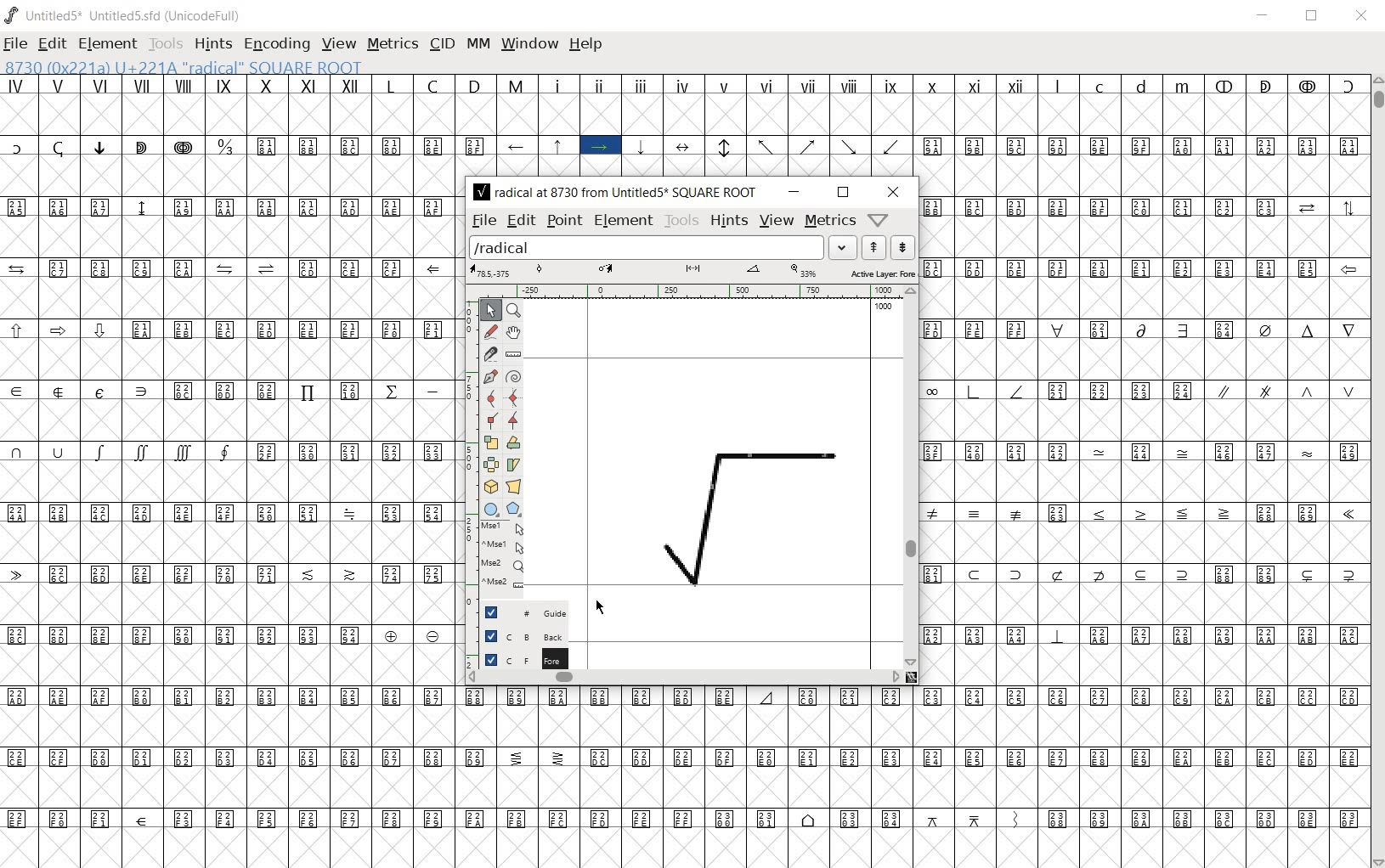 The width and height of the screenshot is (1385, 868). I want to click on ENCODING, so click(276, 45).